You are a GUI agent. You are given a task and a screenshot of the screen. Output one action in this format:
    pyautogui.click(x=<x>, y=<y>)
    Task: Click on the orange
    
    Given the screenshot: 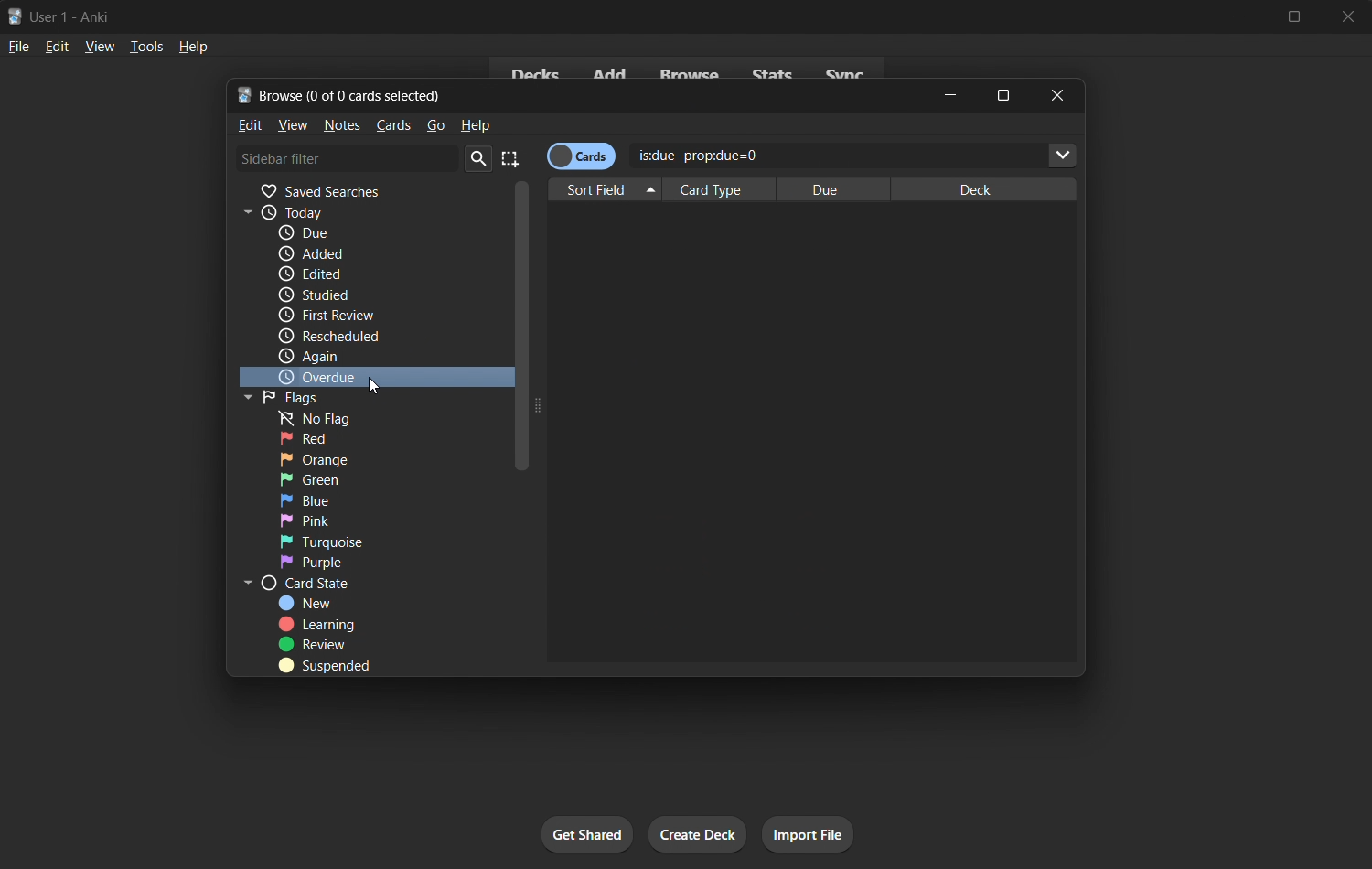 What is the action you would take?
    pyautogui.click(x=338, y=458)
    